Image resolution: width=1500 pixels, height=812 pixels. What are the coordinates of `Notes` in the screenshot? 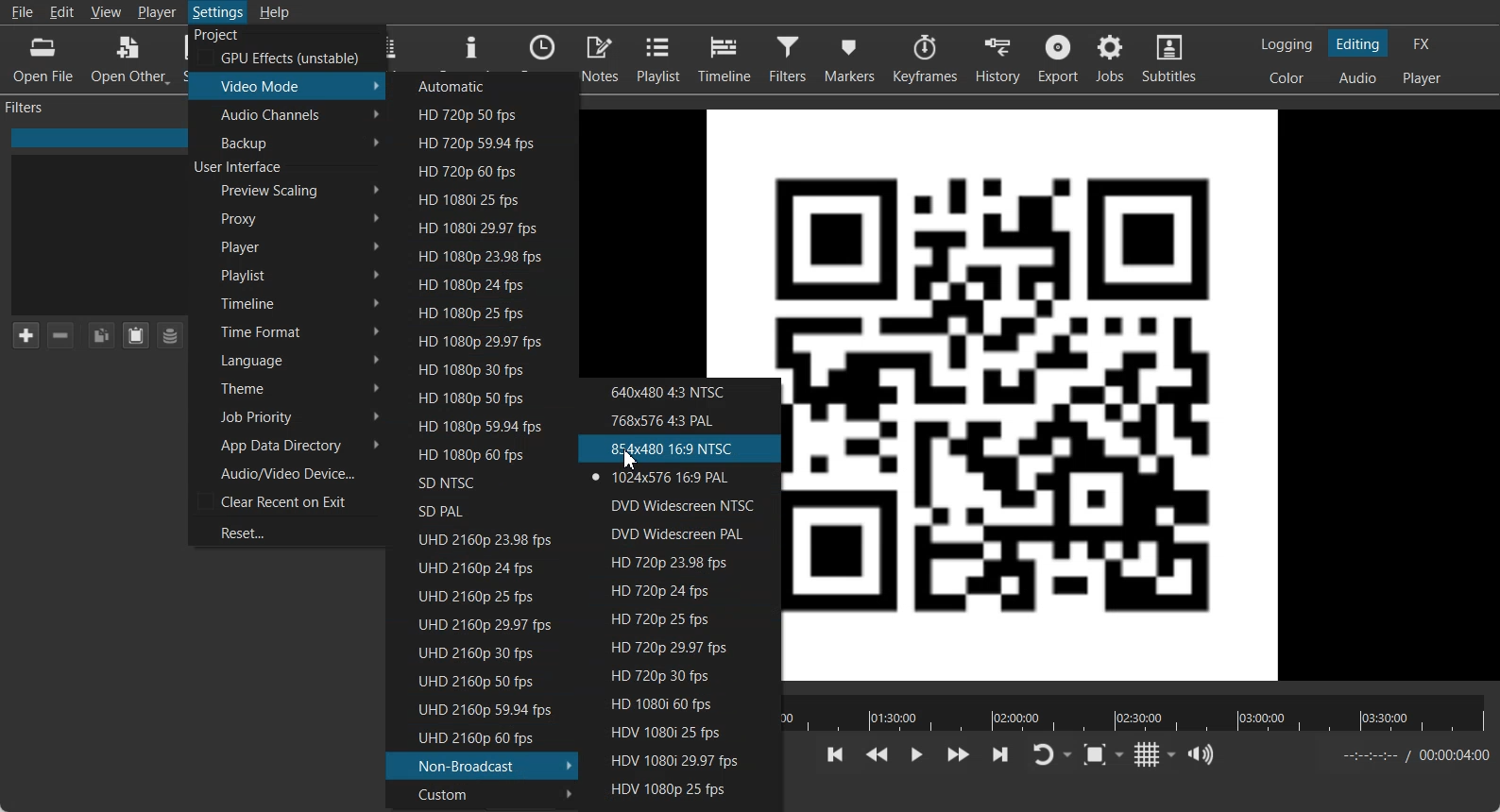 It's located at (601, 58).